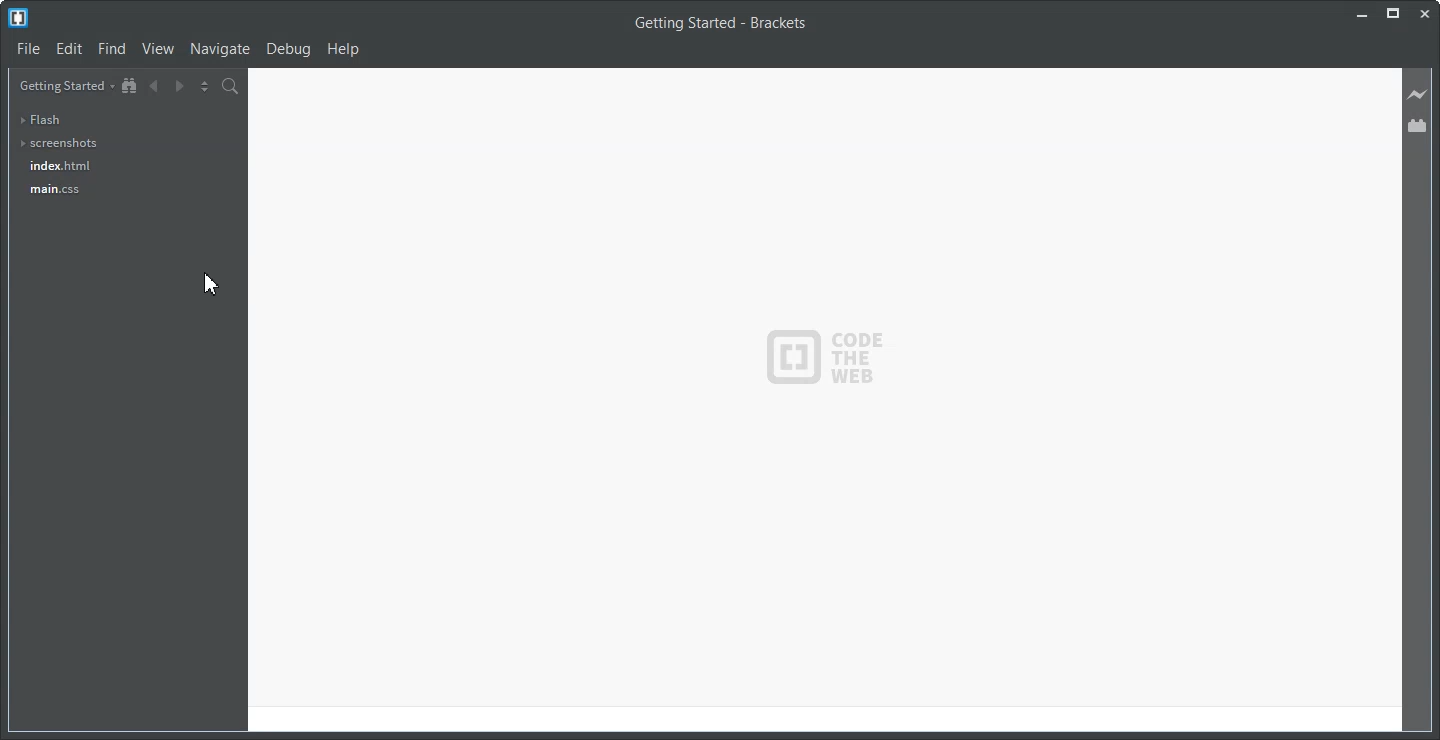 Image resolution: width=1440 pixels, height=740 pixels. What do you see at coordinates (65, 85) in the screenshot?
I see `Getting Started` at bounding box center [65, 85].